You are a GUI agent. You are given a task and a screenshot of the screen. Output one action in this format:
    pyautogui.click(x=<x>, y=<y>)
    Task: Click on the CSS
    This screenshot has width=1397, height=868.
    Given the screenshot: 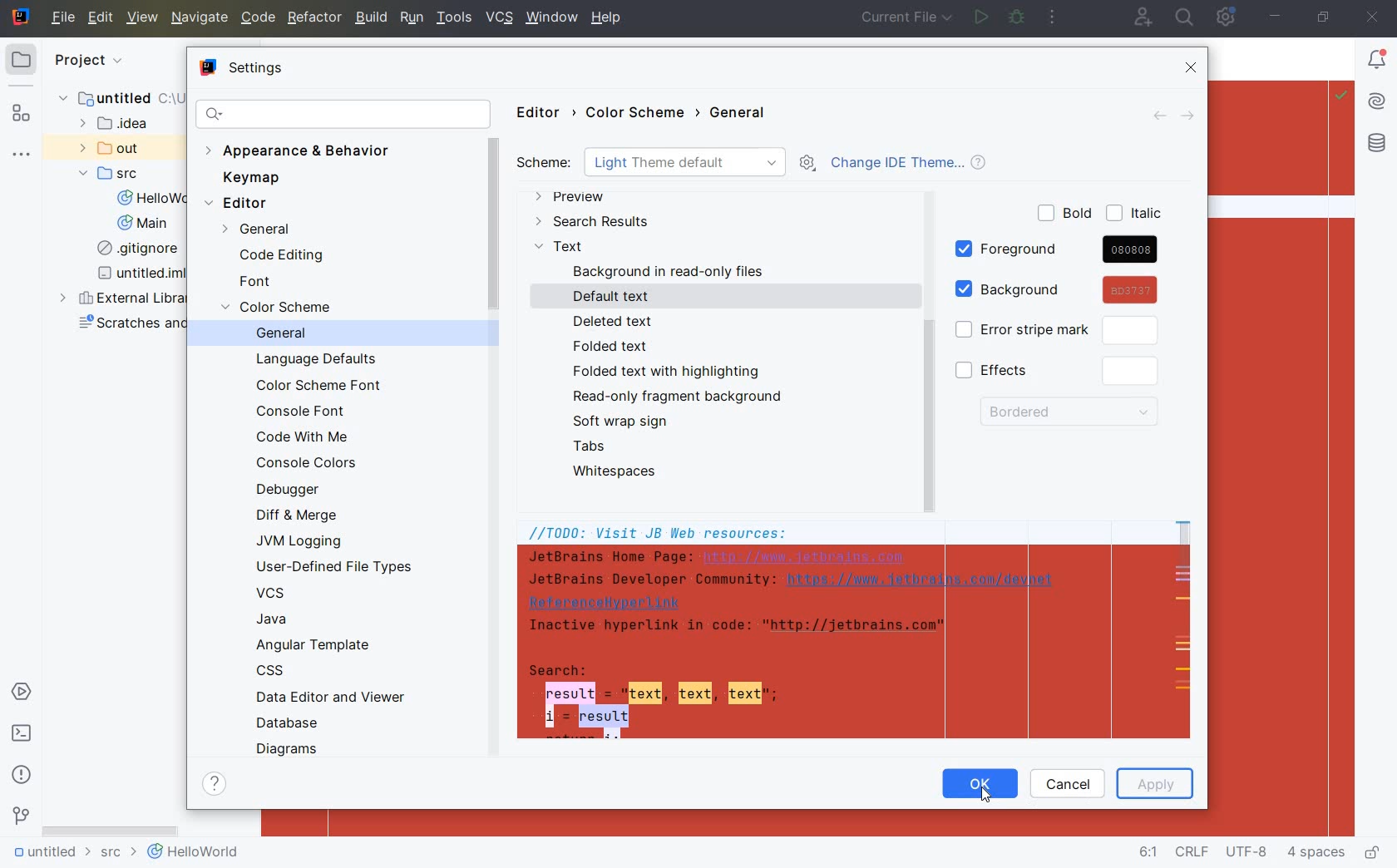 What is the action you would take?
    pyautogui.click(x=275, y=673)
    